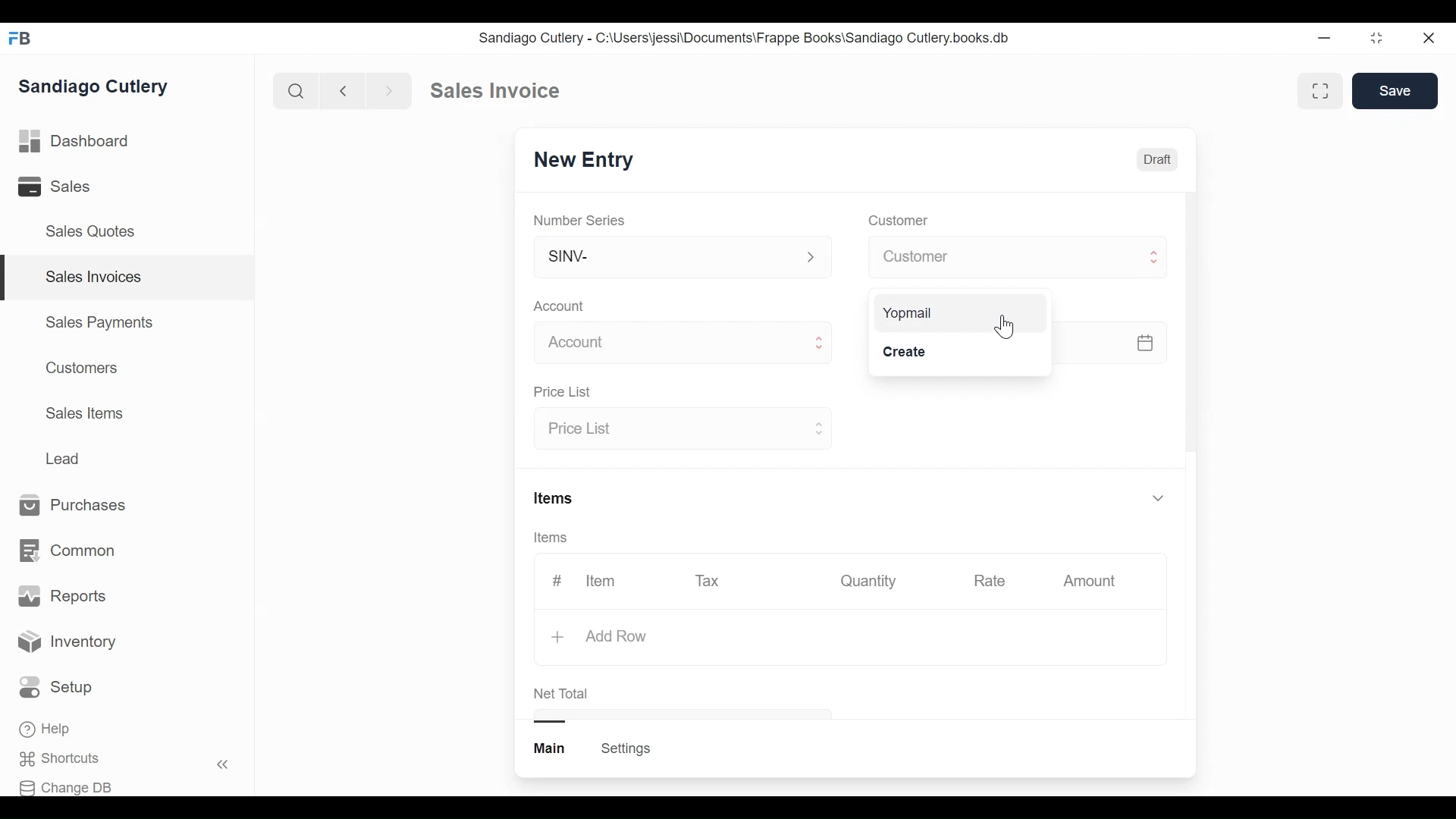 The height and width of the screenshot is (819, 1456). Describe the element at coordinates (98, 322) in the screenshot. I see `Sales Payments` at that location.